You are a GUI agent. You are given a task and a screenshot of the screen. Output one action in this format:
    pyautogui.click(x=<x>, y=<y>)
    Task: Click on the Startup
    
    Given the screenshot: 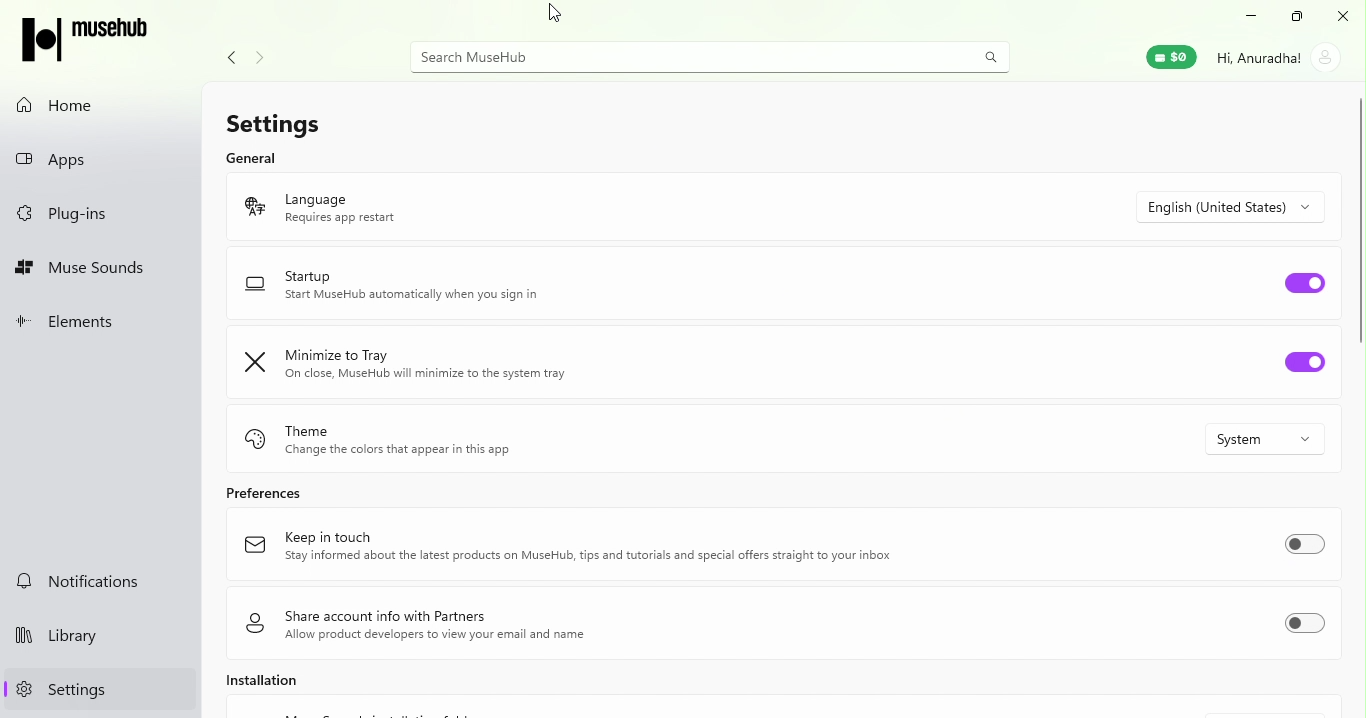 What is the action you would take?
    pyautogui.click(x=501, y=284)
    